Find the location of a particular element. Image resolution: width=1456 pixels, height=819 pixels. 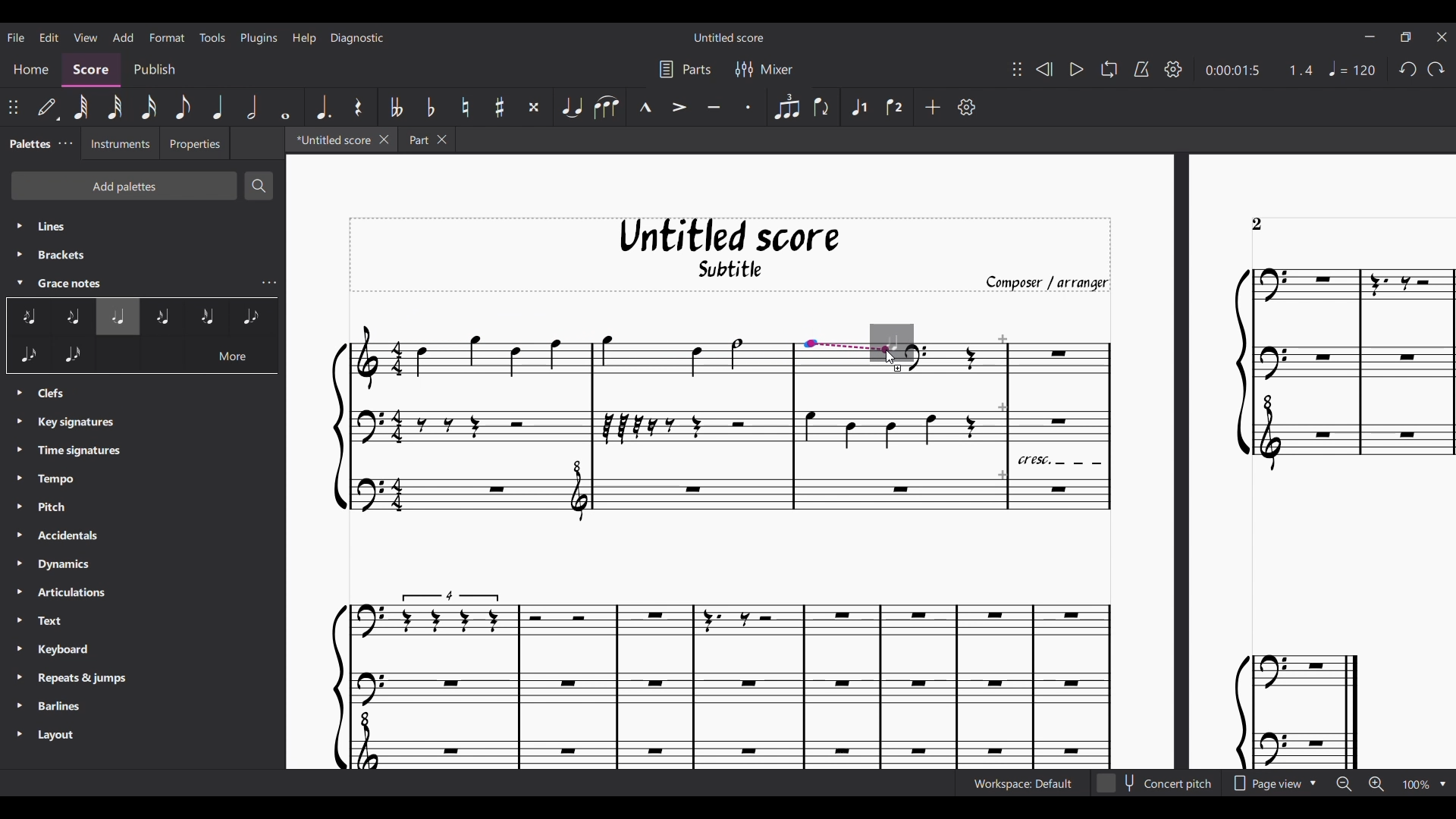

Properties tab is located at coordinates (194, 143).